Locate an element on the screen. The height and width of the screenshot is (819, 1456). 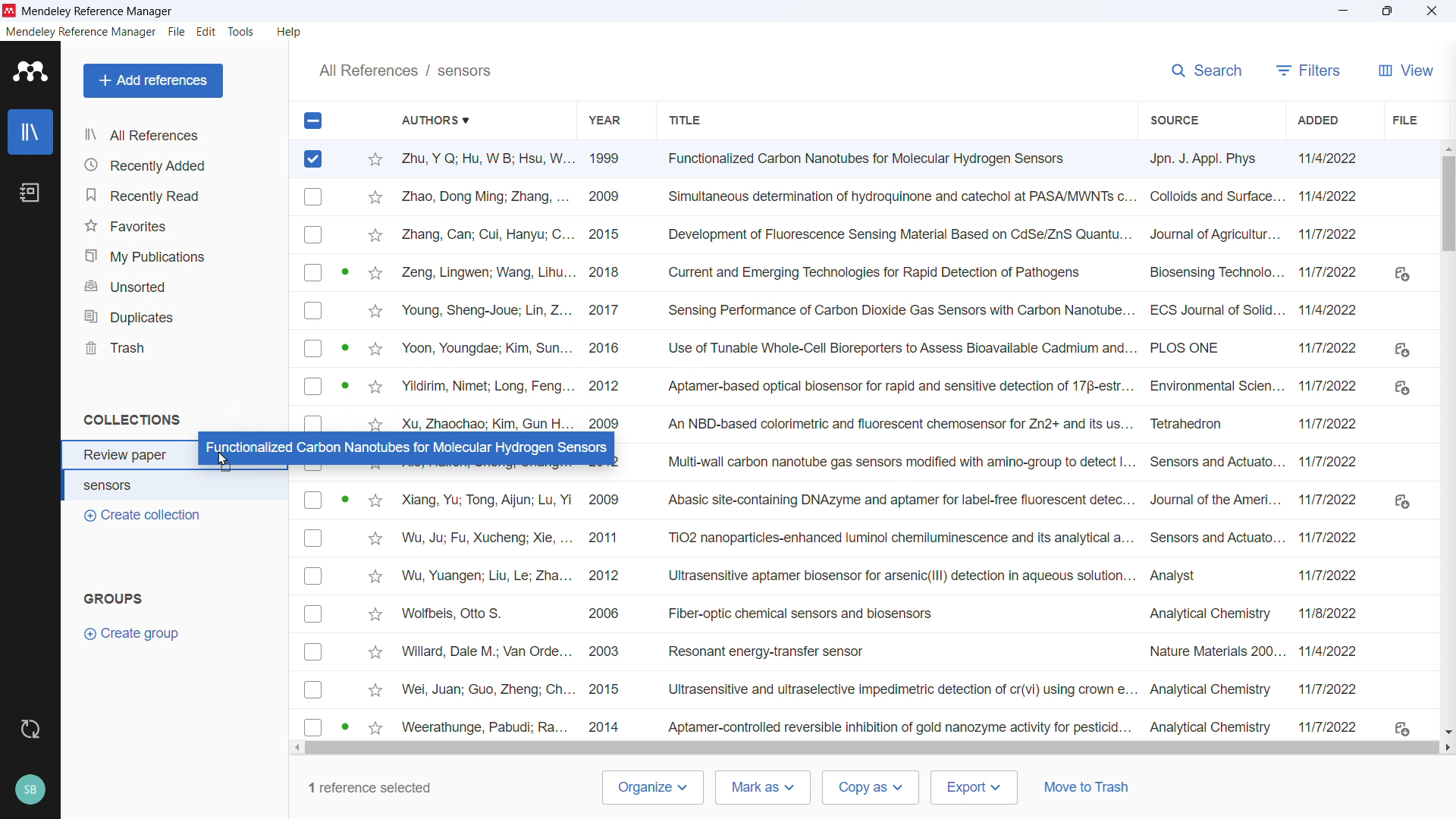
Reference selected  is located at coordinates (314, 159).